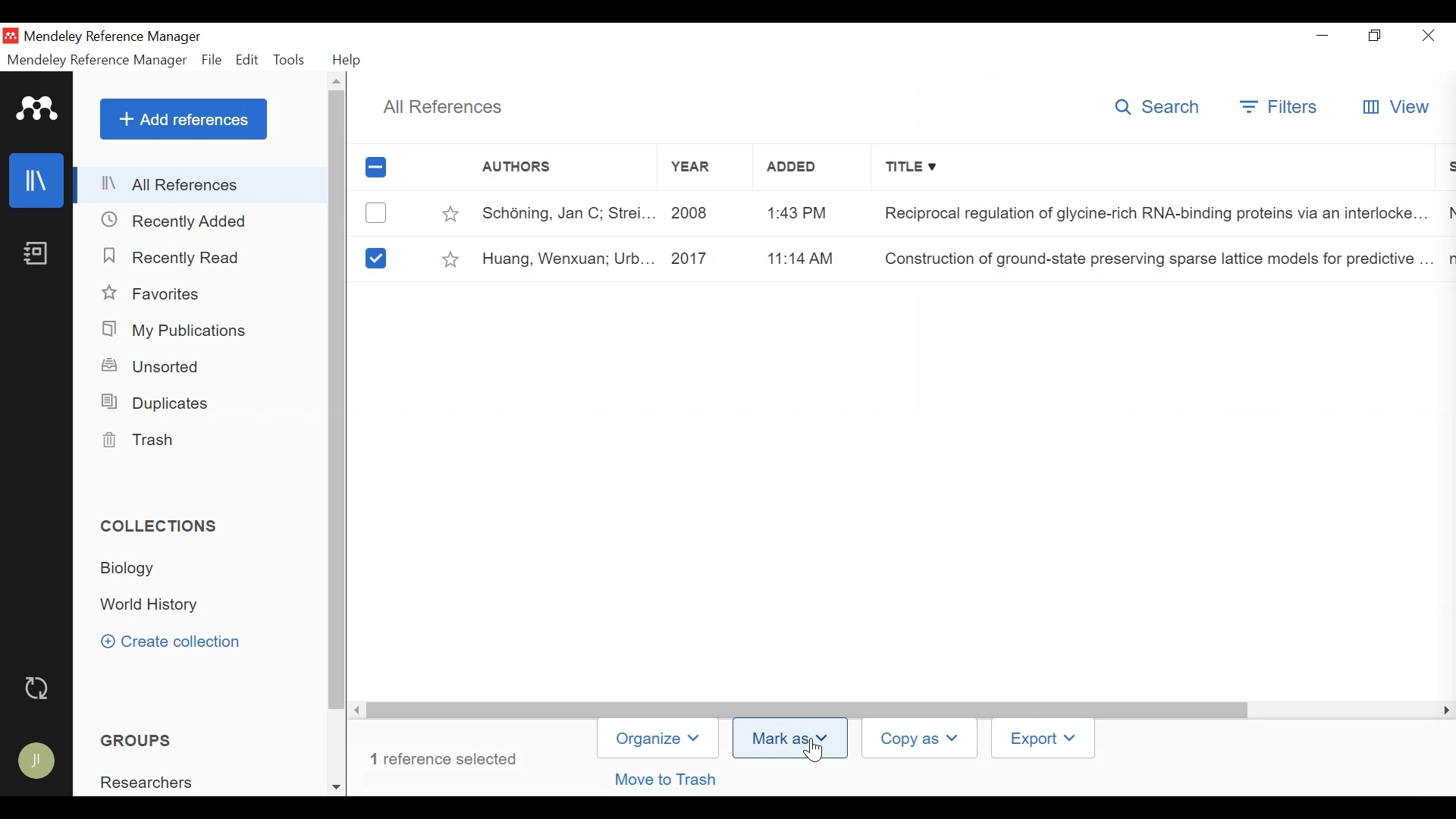 This screenshot has height=819, width=1456. I want to click on Create Collection, so click(178, 642).